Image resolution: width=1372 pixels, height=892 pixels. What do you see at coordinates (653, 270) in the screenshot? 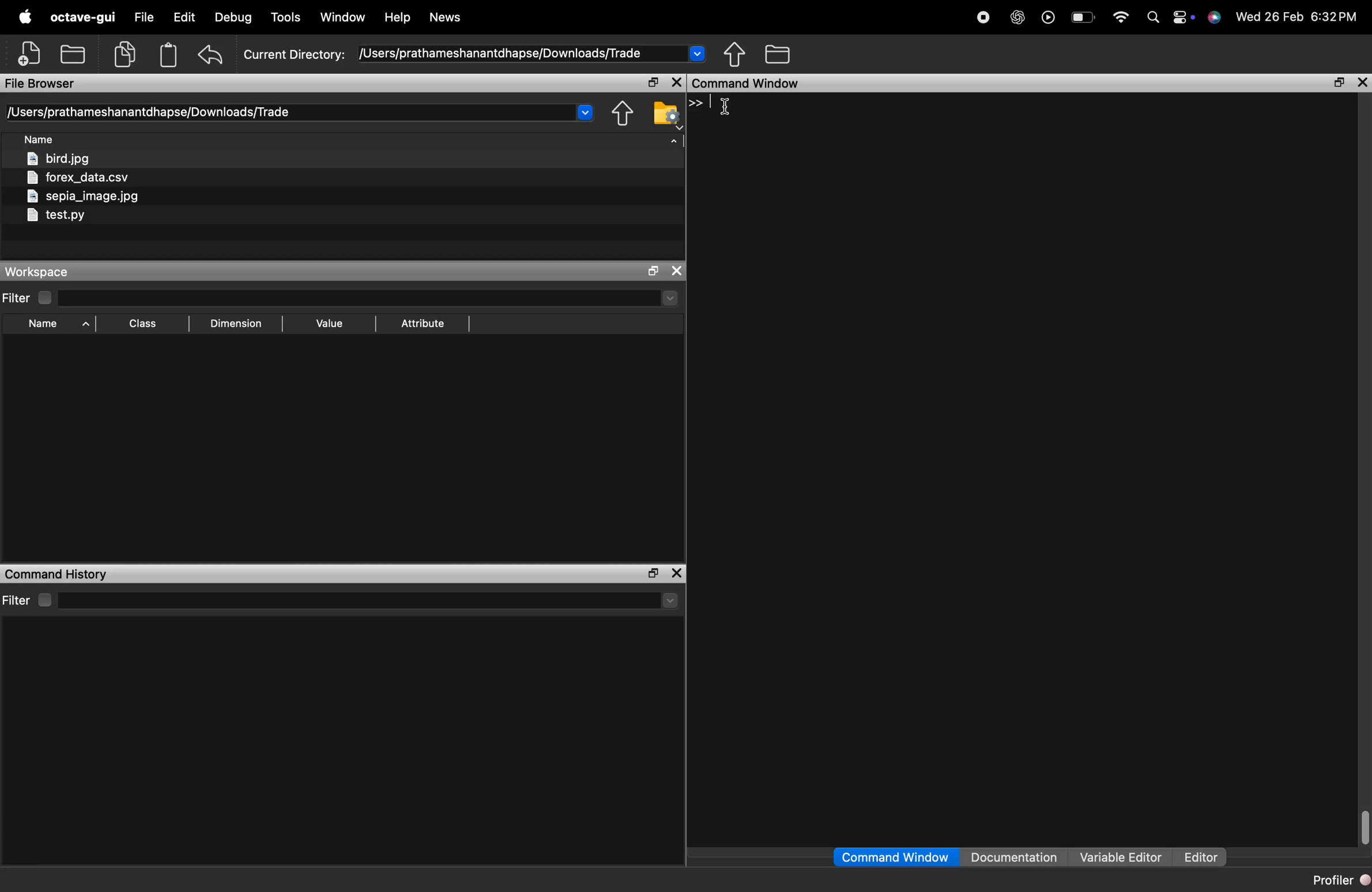
I see `maximize` at bounding box center [653, 270].